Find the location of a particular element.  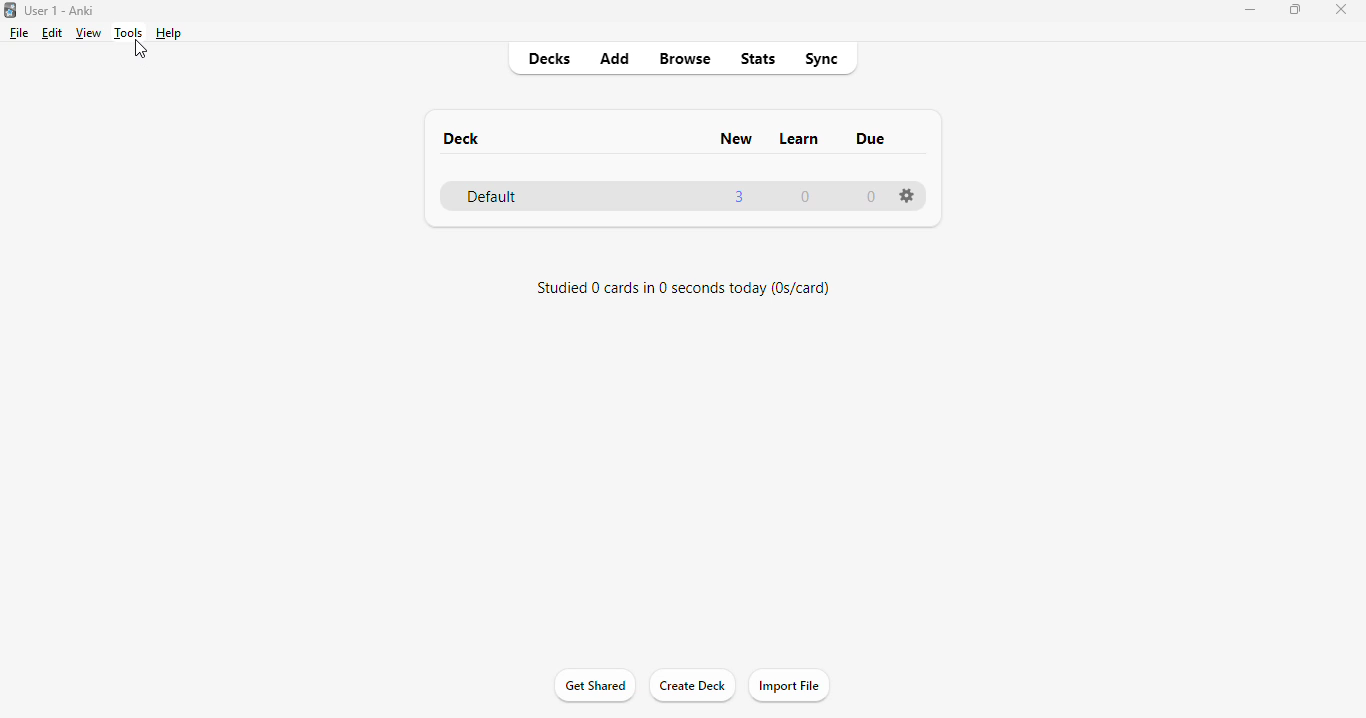

deck is located at coordinates (461, 139).